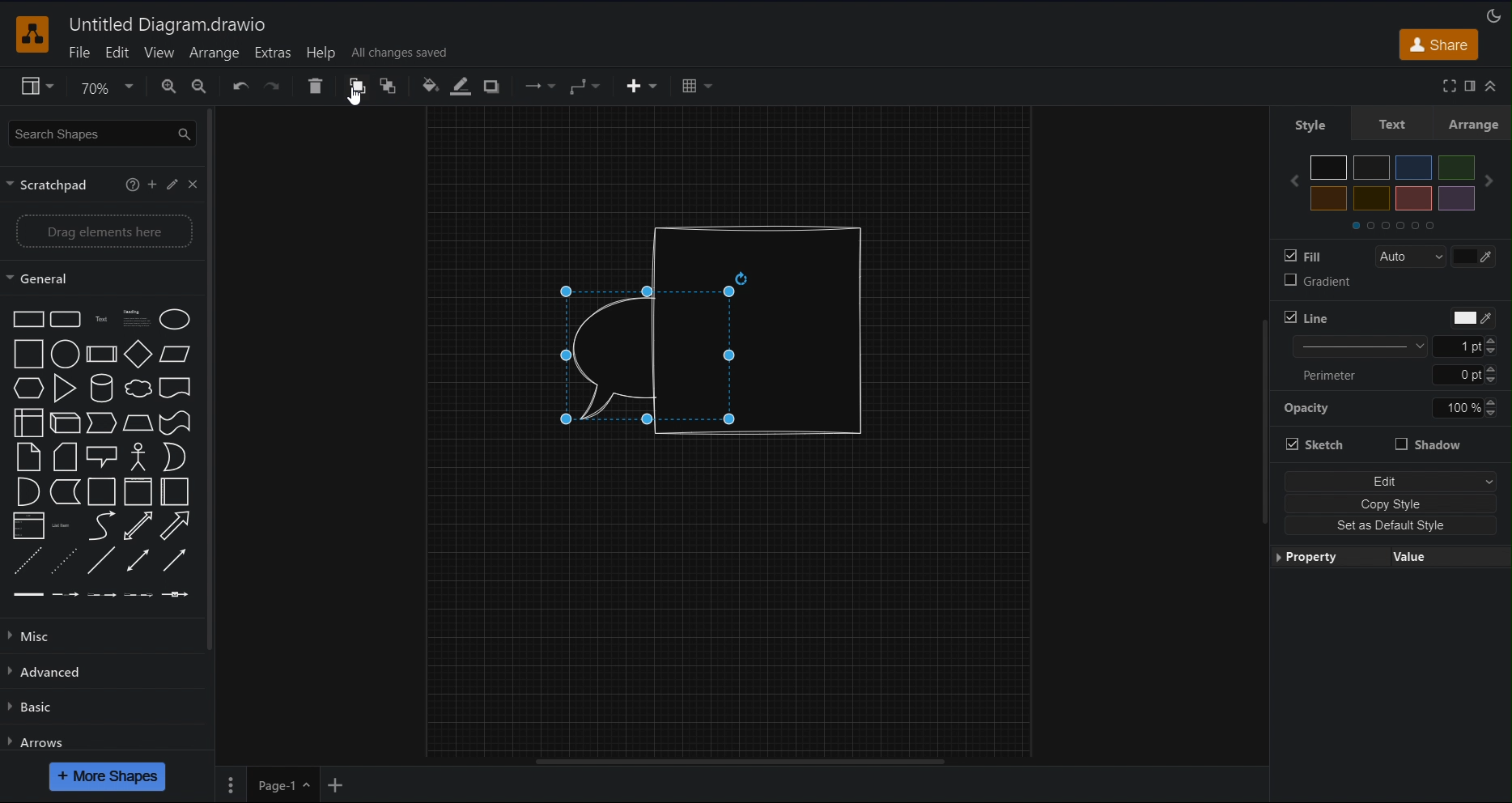  What do you see at coordinates (1471, 86) in the screenshot?
I see `Format` at bounding box center [1471, 86].